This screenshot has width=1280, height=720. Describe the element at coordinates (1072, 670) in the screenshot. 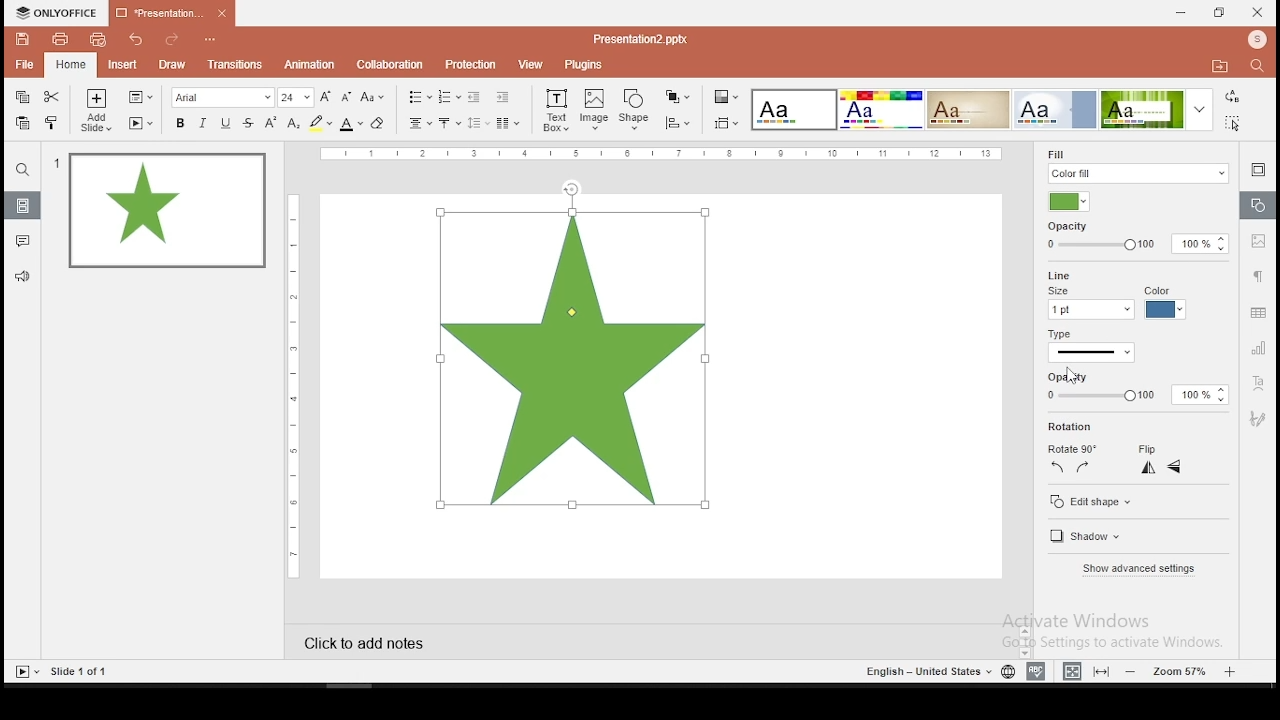

I see `fit to width` at that location.